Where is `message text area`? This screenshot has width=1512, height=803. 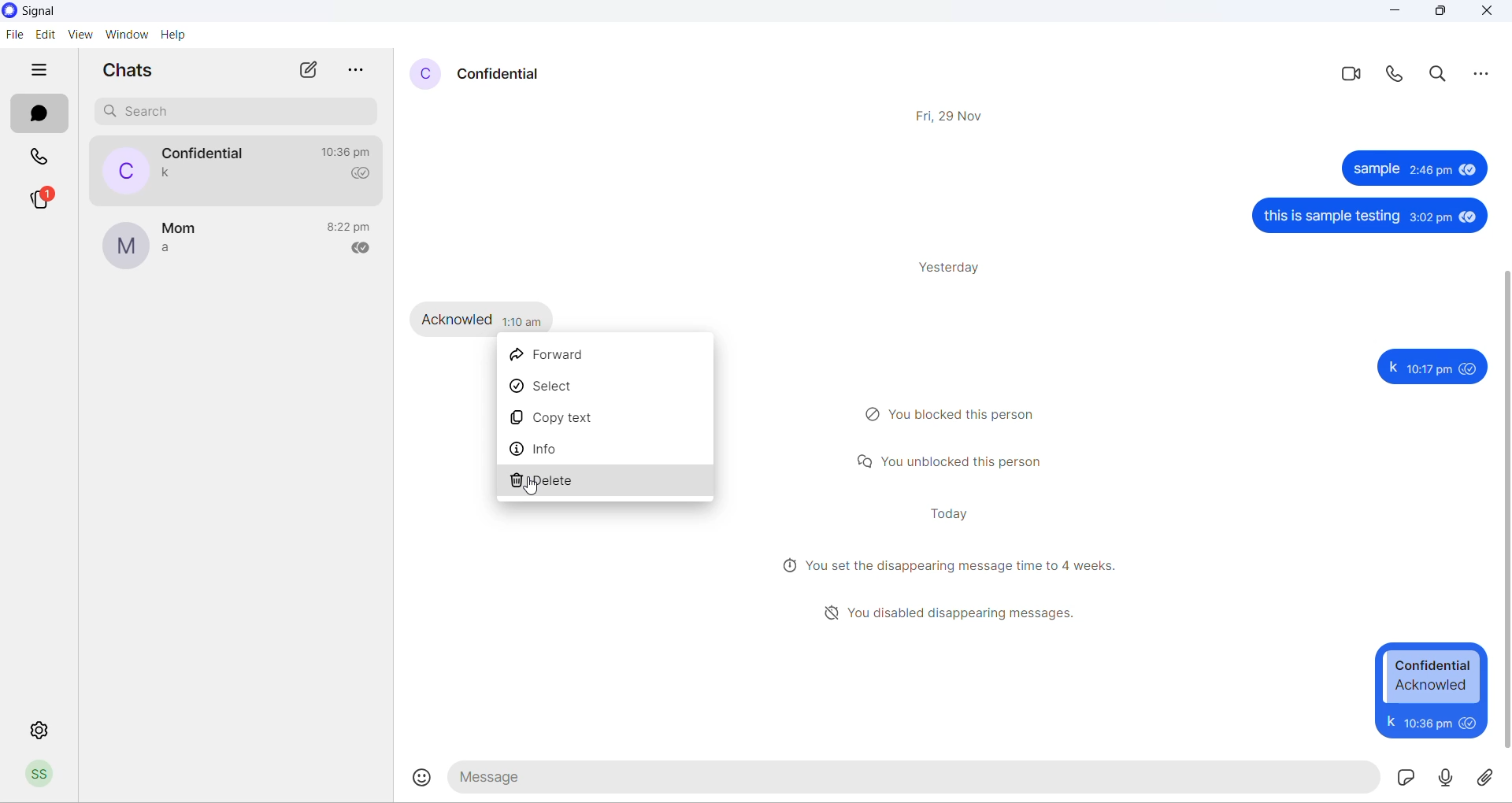
message text area is located at coordinates (918, 775).